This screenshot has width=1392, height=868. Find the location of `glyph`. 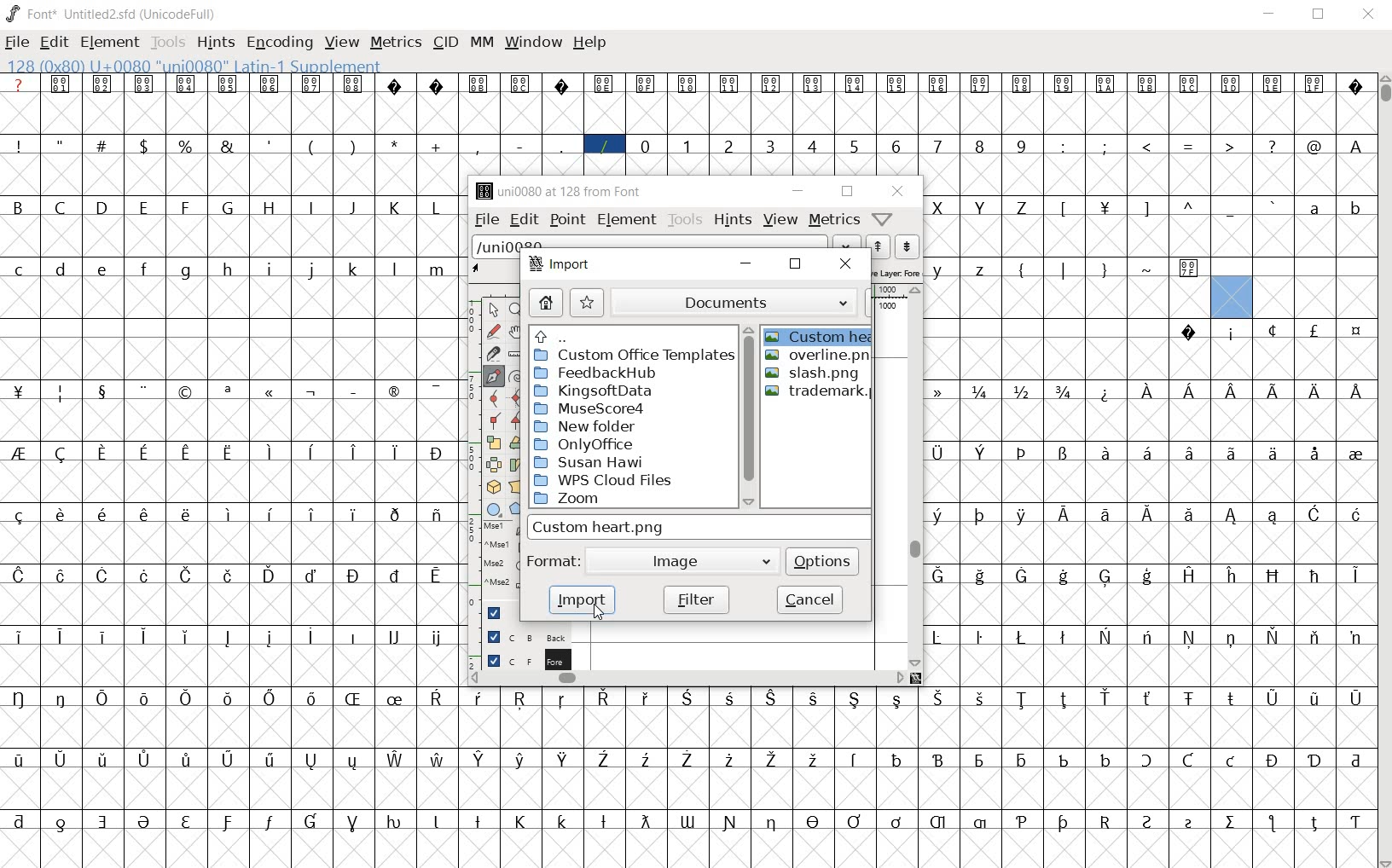

glyph is located at coordinates (311, 206).